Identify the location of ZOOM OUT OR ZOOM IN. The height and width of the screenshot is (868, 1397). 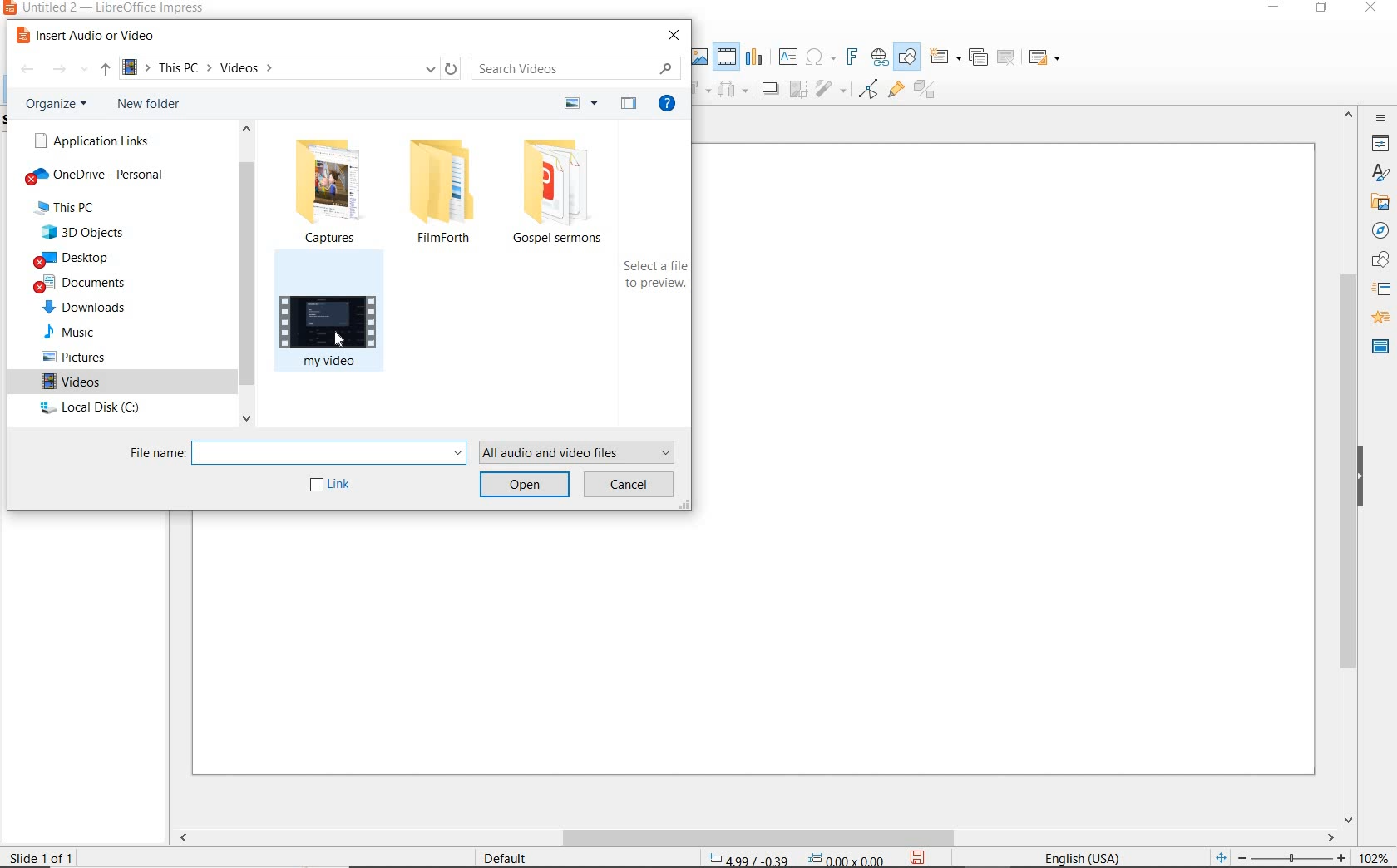
(1278, 856).